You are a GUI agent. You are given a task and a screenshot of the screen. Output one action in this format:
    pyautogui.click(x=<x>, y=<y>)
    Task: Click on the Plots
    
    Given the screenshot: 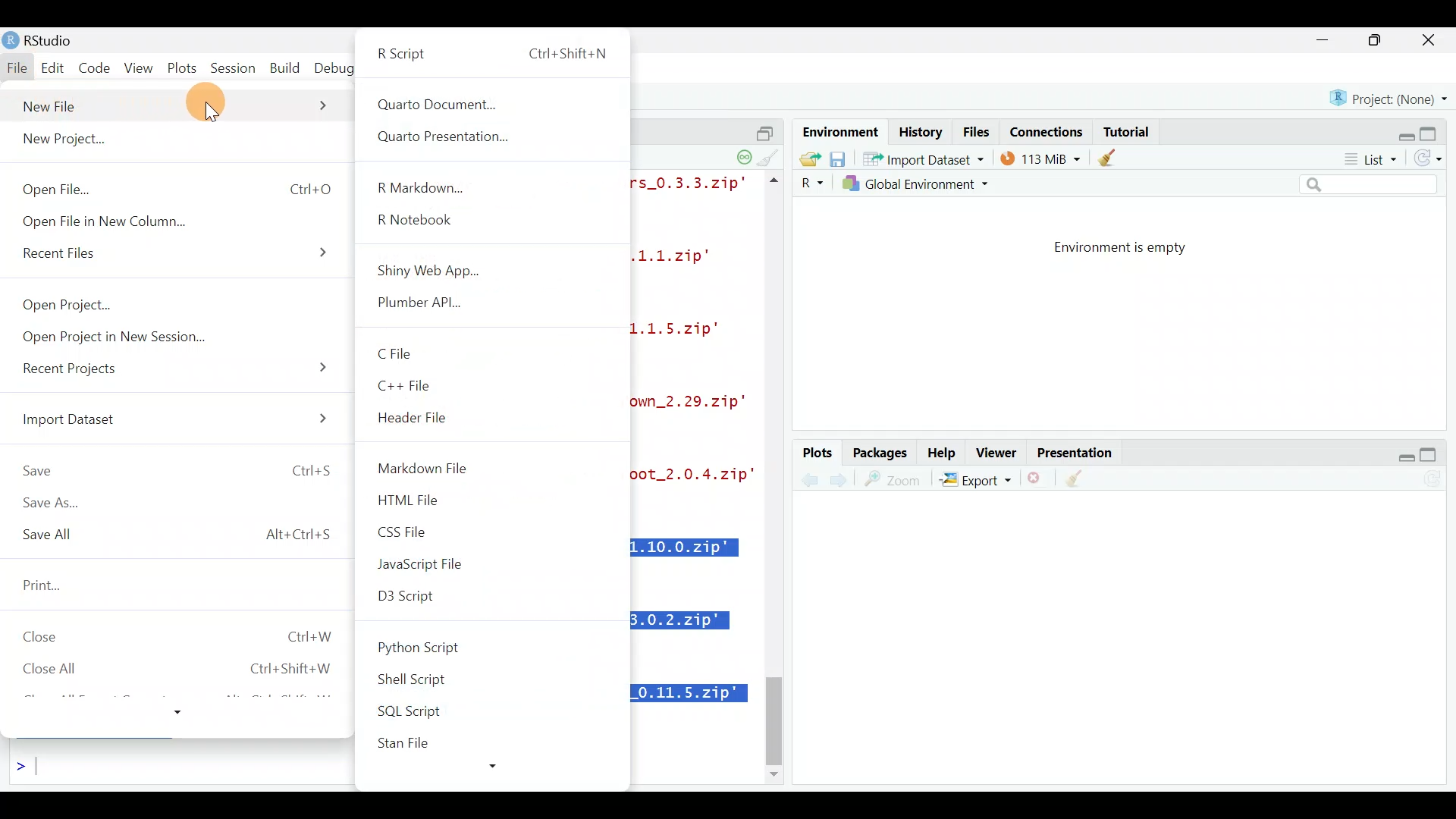 What is the action you would take?
    pyautogui.click(x=818, y=453)
    